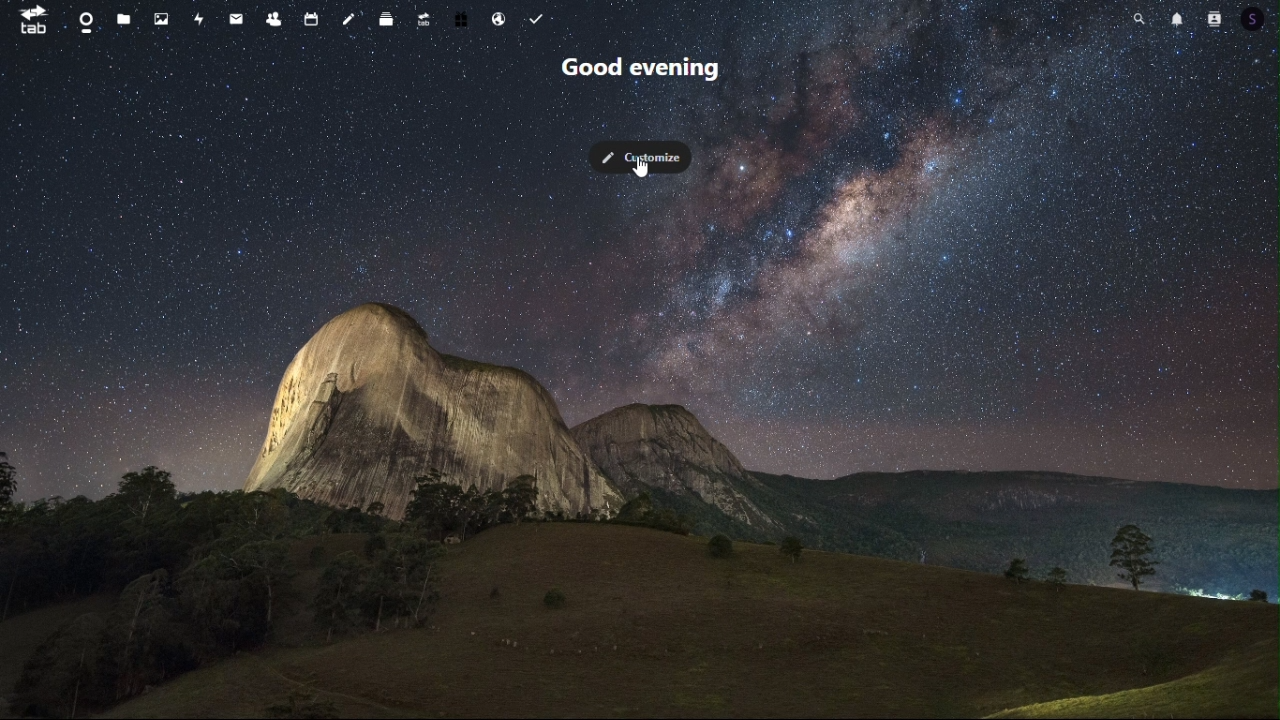 The image size is (1280, 720). I want to click on tab, so click(34, 20).